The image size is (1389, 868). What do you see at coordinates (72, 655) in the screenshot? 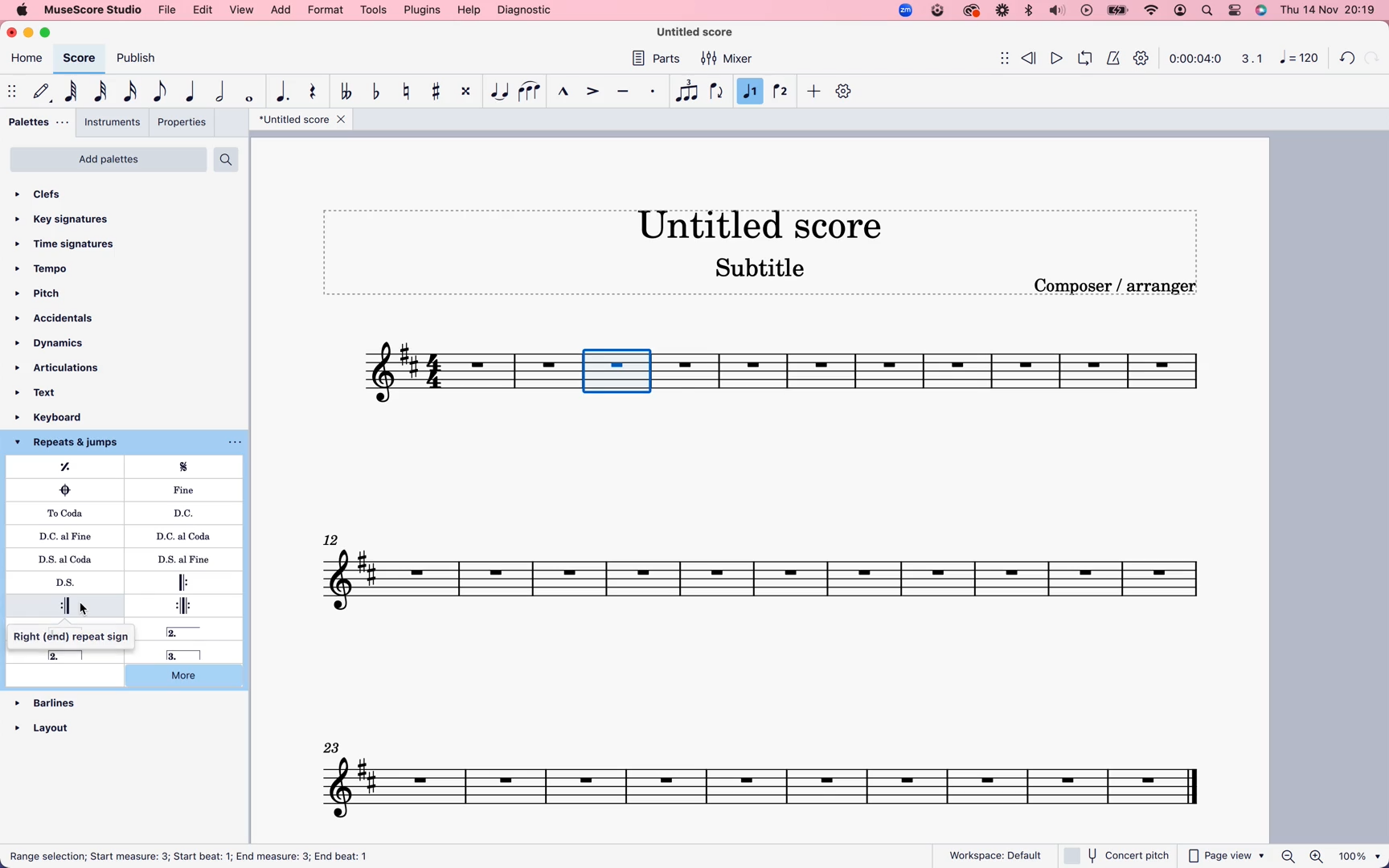
I see `seconda volta` at bounding box center [72, 655].